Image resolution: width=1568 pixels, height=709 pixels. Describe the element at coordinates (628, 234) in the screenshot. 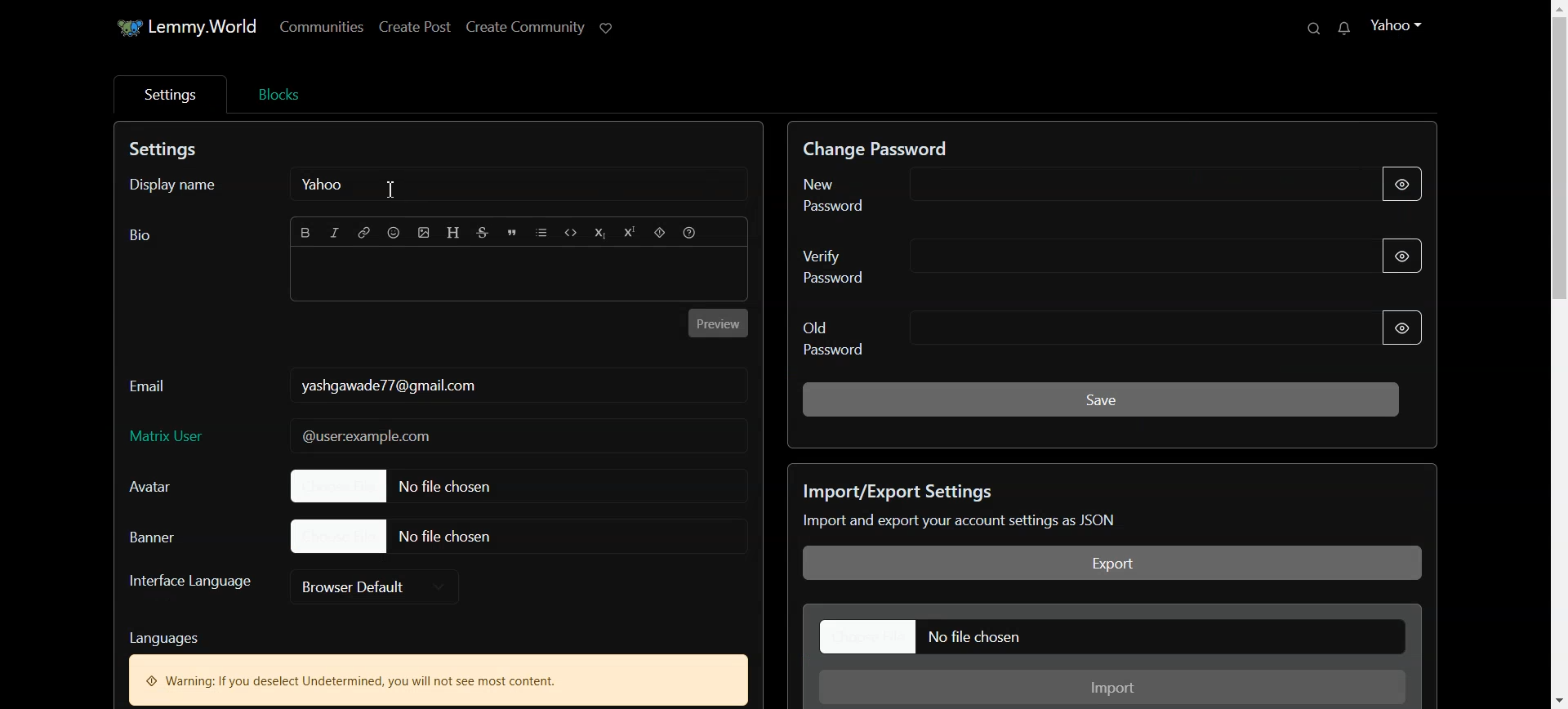

I see `Superscript` at that location.